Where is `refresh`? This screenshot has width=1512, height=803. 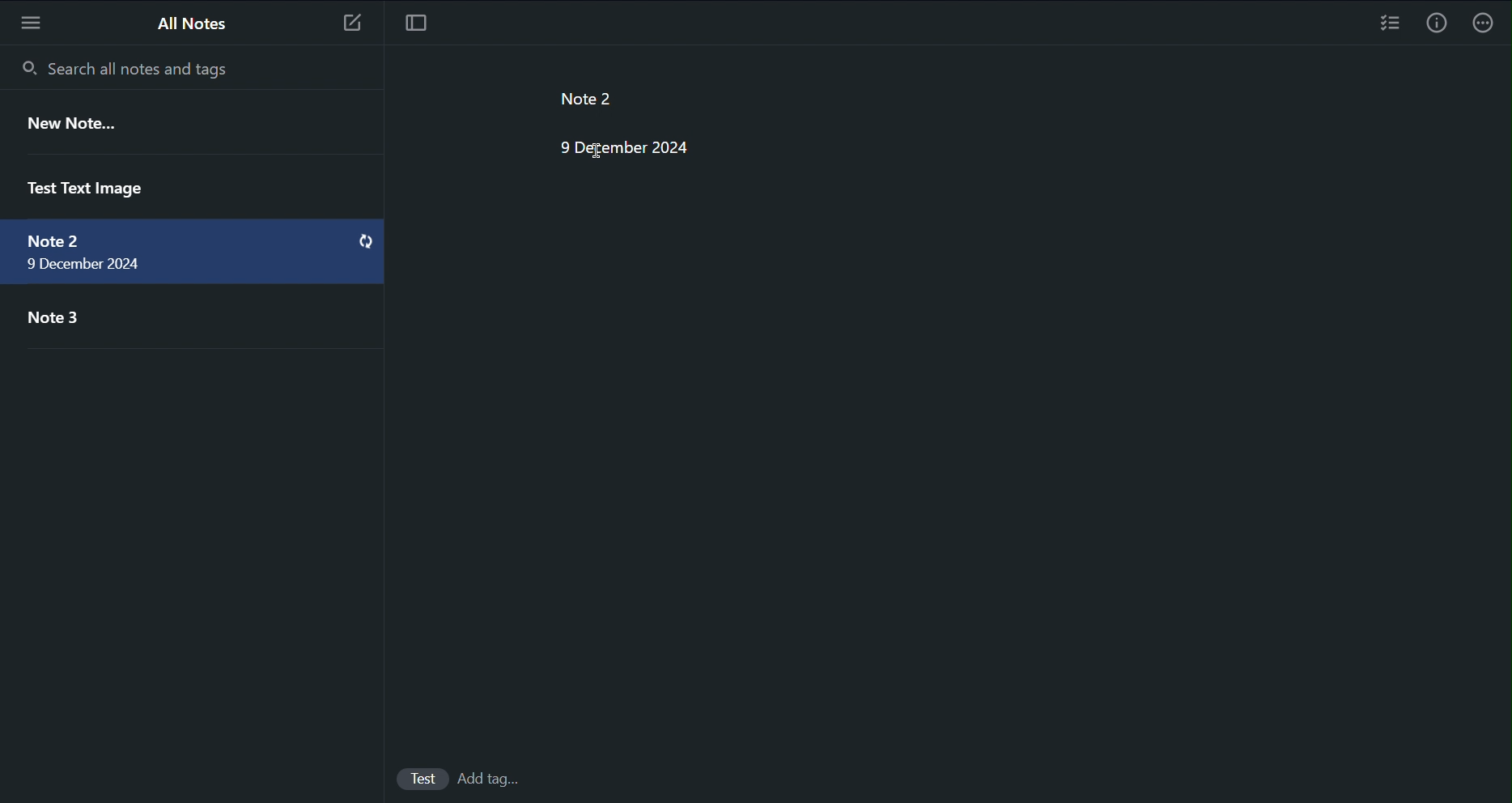 refresh is located at coordinates (366, 242).